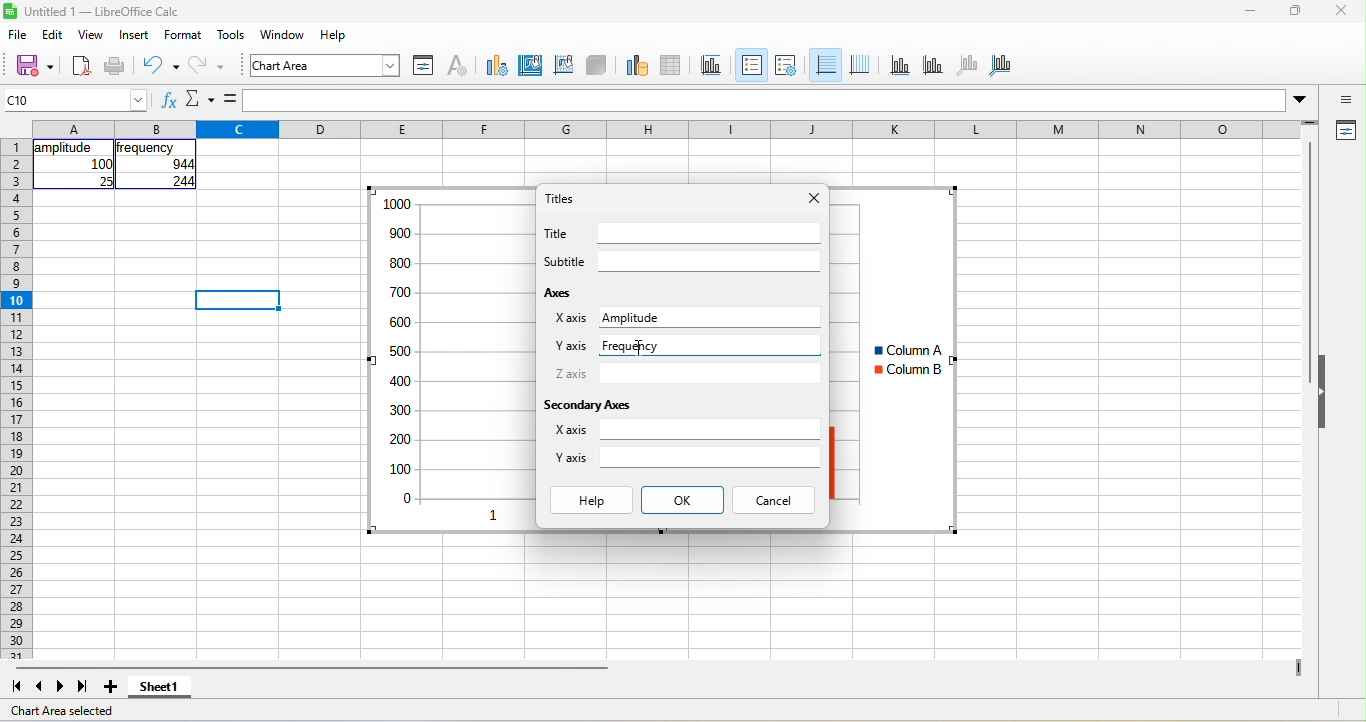  I want to click on Function options, so click(200, 99).